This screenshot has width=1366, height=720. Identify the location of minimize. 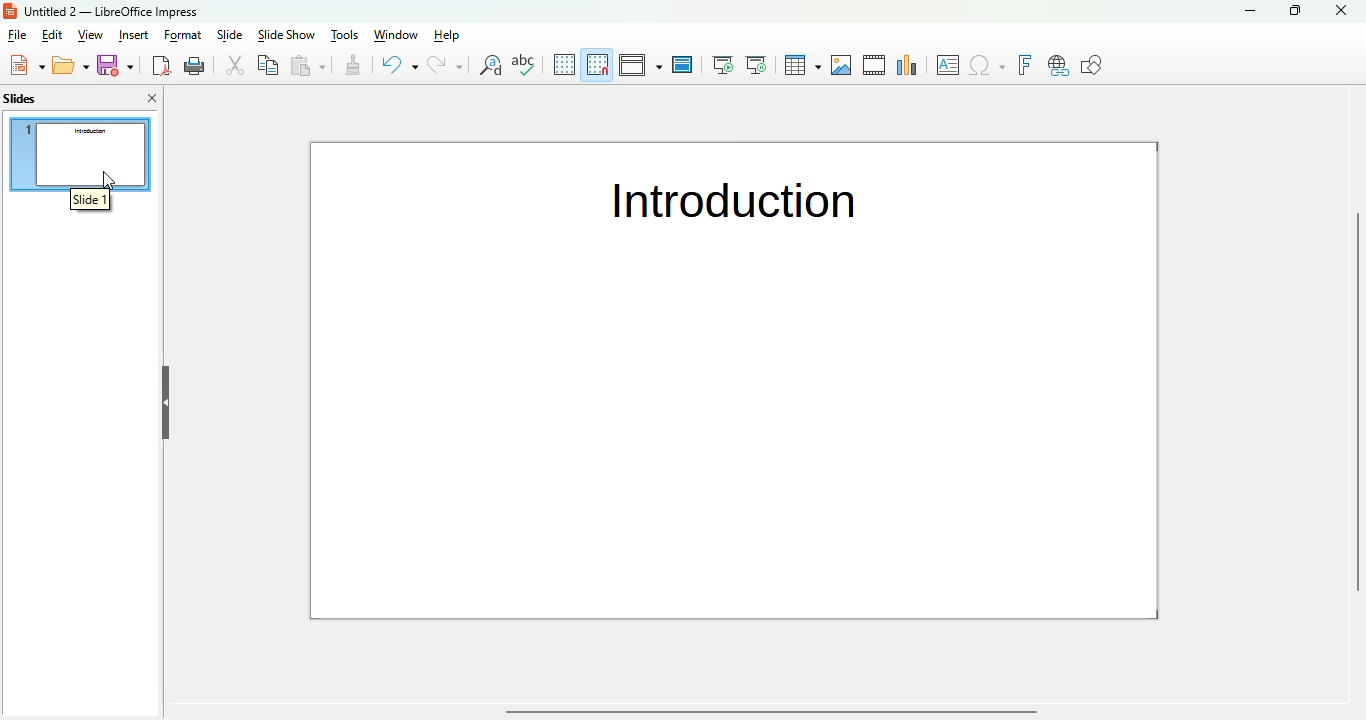
(1252, 10).